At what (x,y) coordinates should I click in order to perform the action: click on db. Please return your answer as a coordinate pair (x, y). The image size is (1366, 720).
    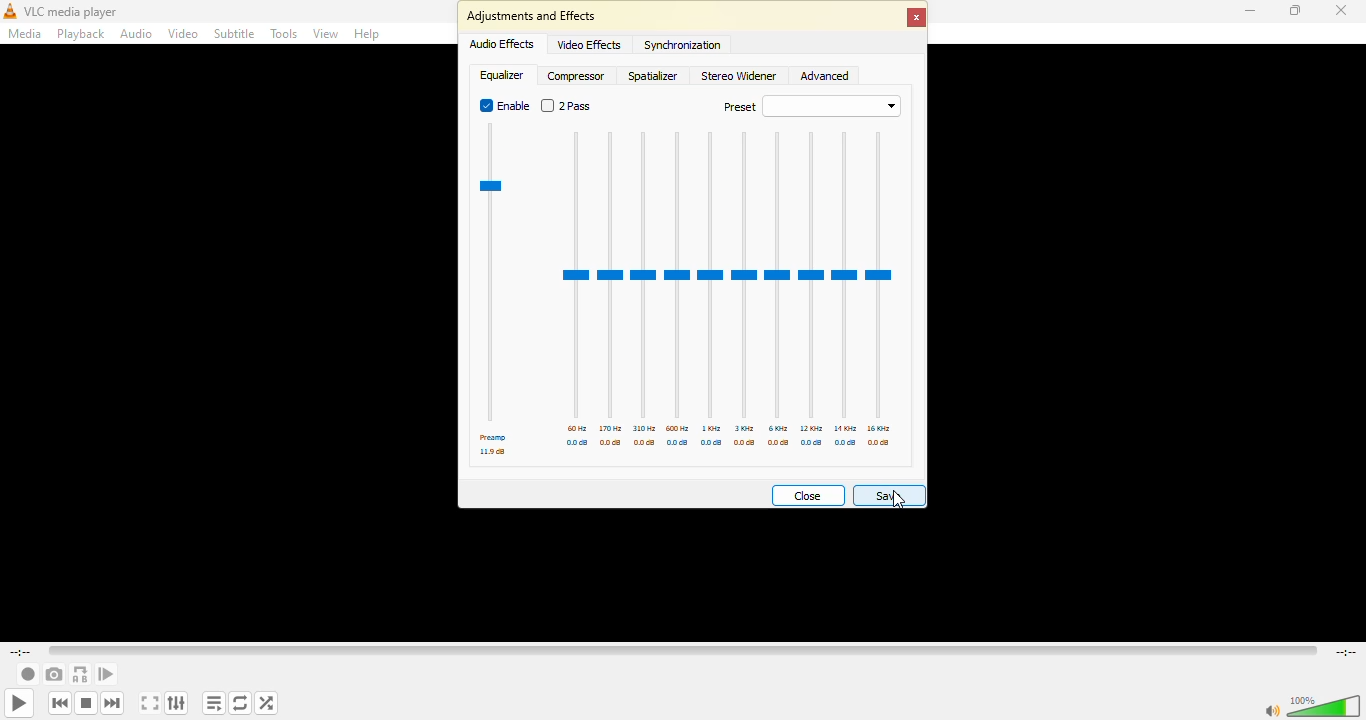
    Looking at the image, I should click on (645, 443).